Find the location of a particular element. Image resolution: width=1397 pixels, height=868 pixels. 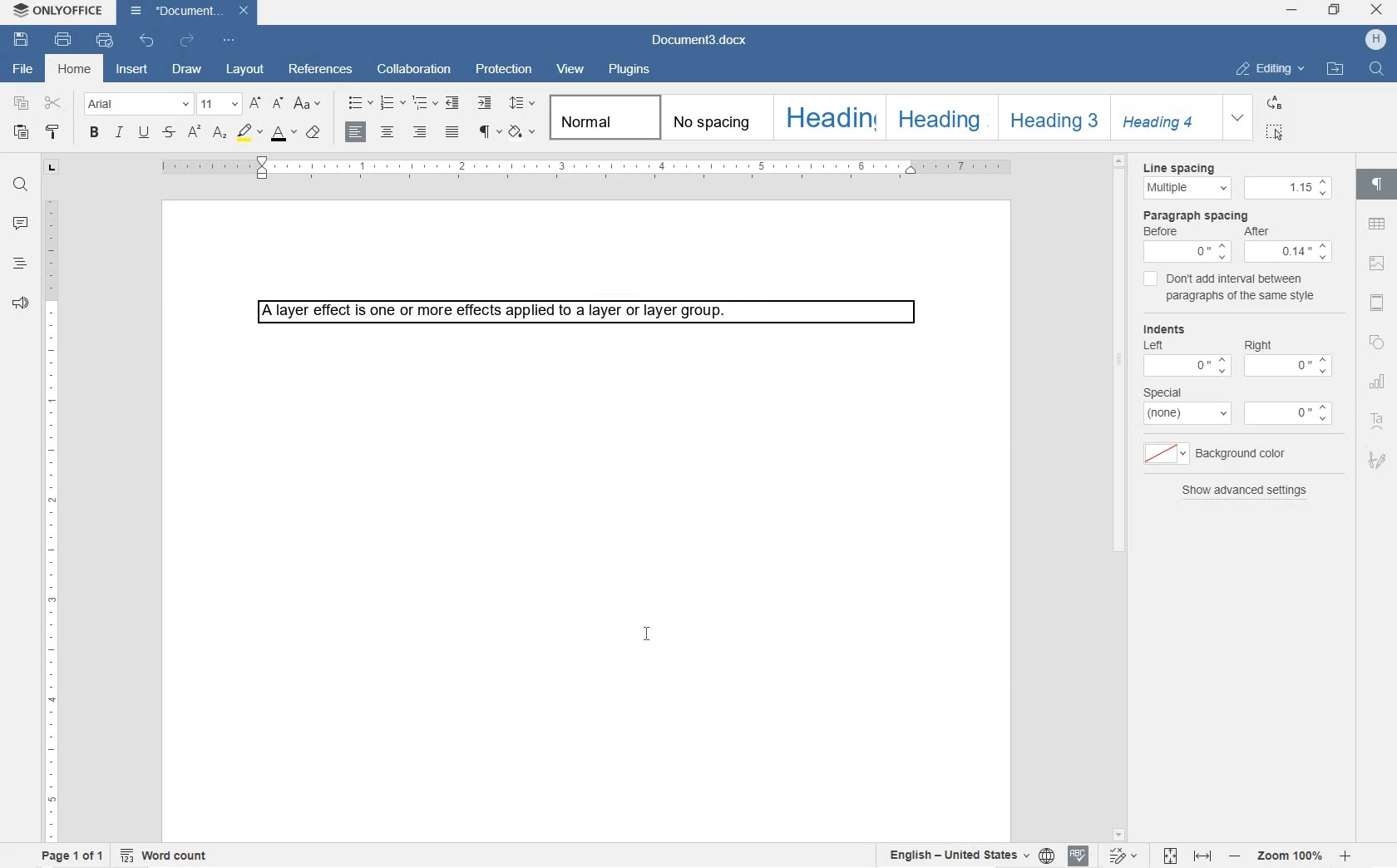

NO SPACING is located at coordinates (714, 118).